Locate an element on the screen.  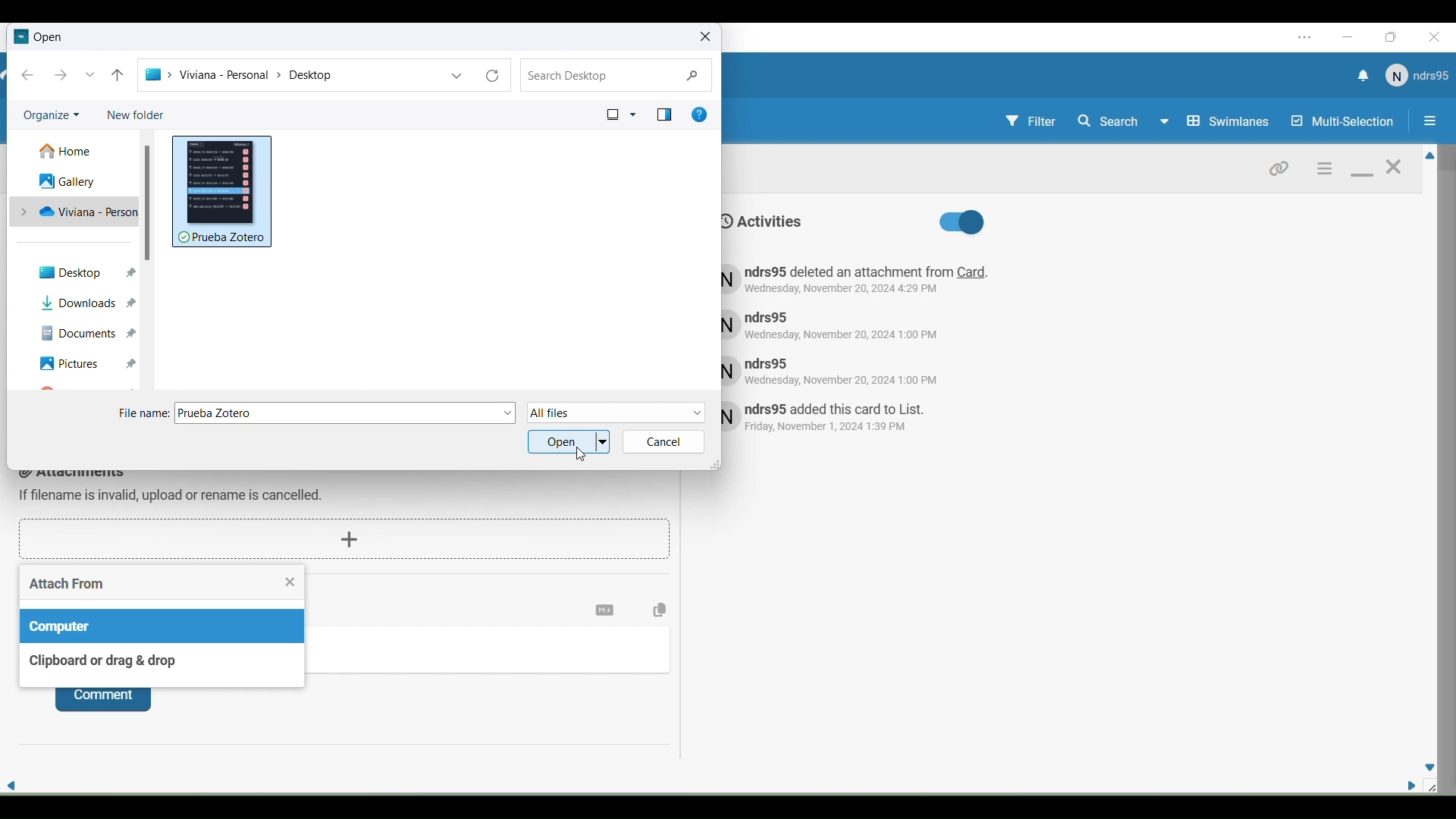
File Name is located at coordinates (347, 413).